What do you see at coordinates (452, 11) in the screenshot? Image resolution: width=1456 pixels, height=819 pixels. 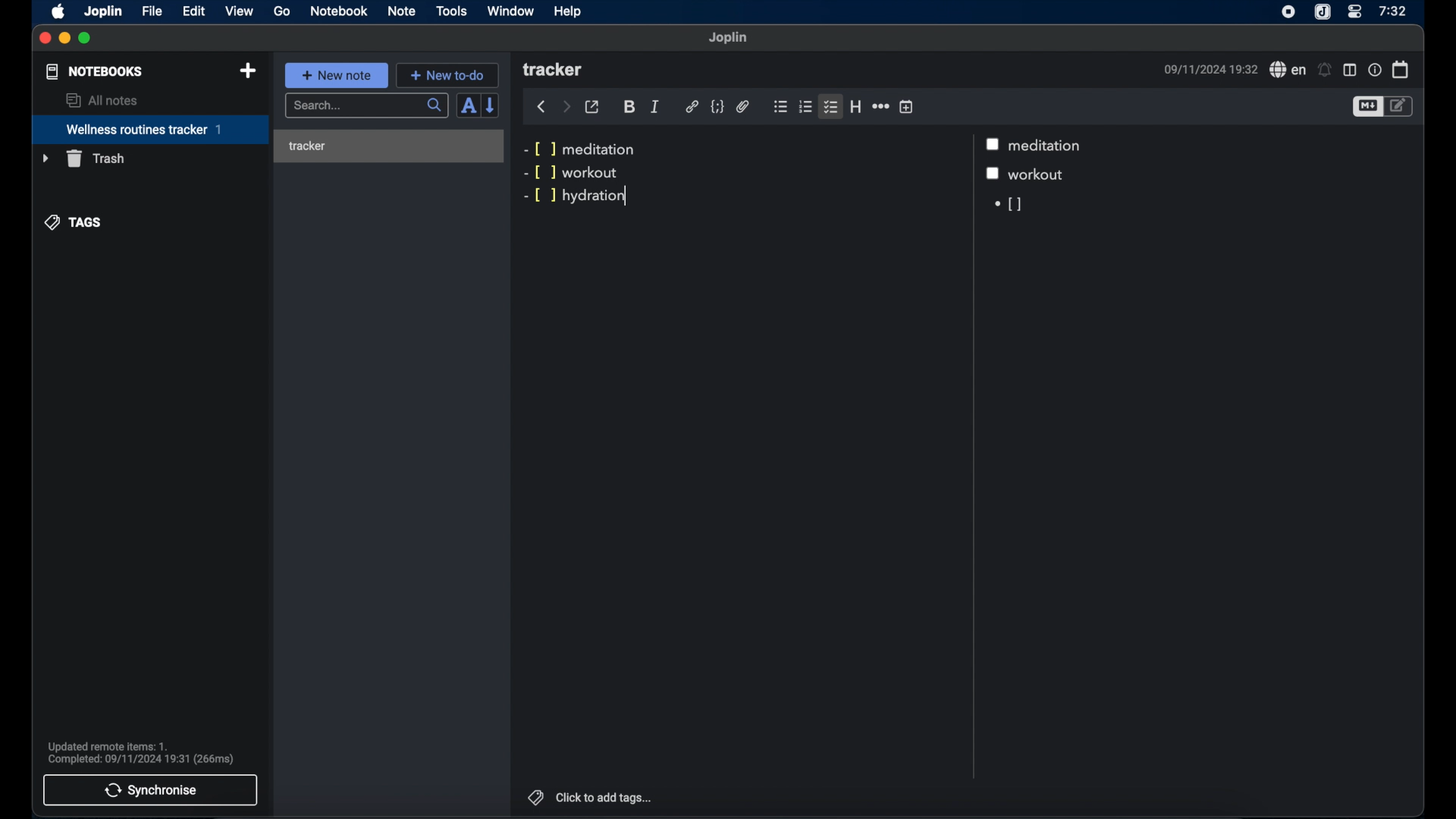 I see `tools` at bounding box center [452, 11].